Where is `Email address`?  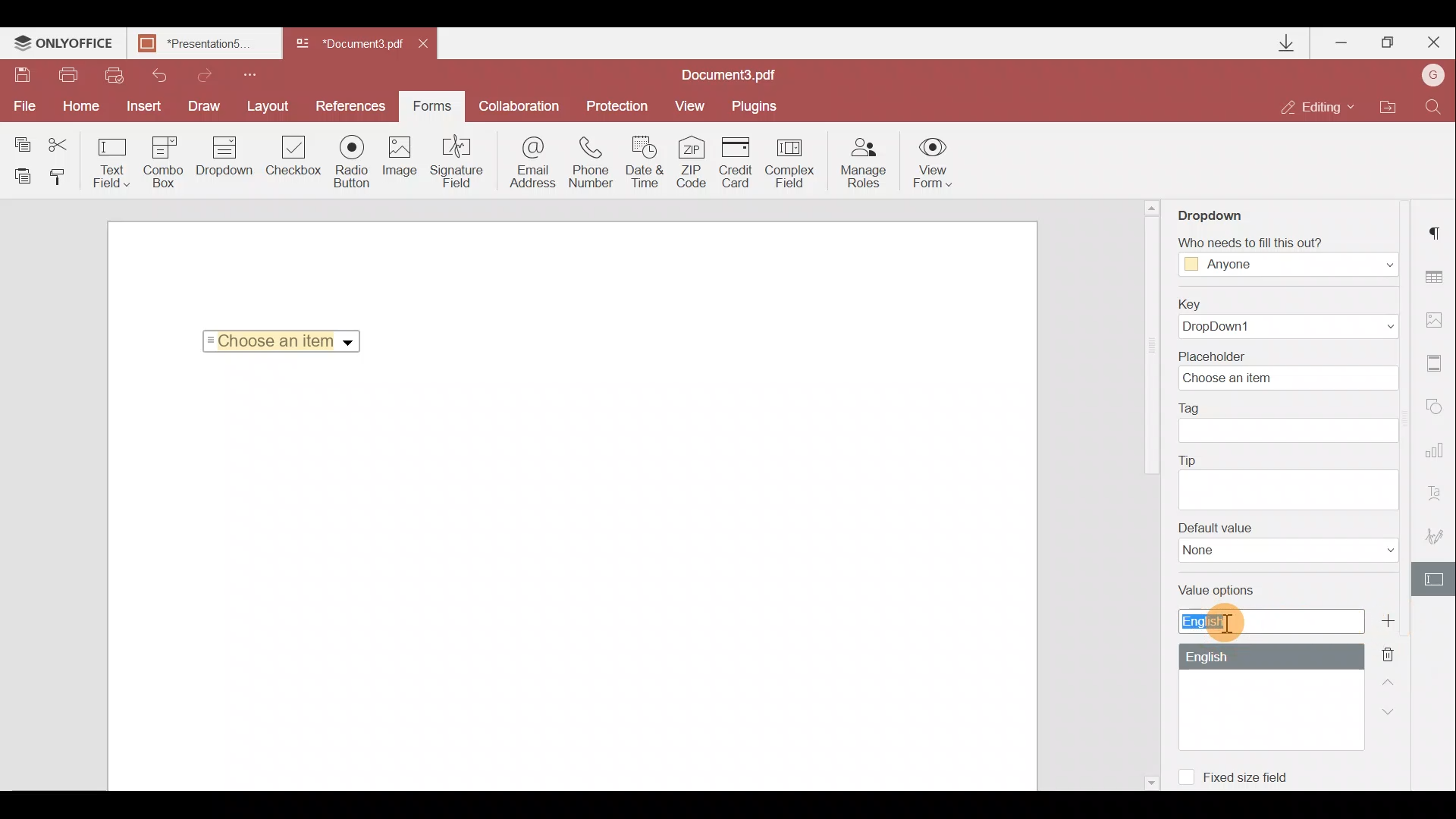
Email address is located at coordinates (533, 165).